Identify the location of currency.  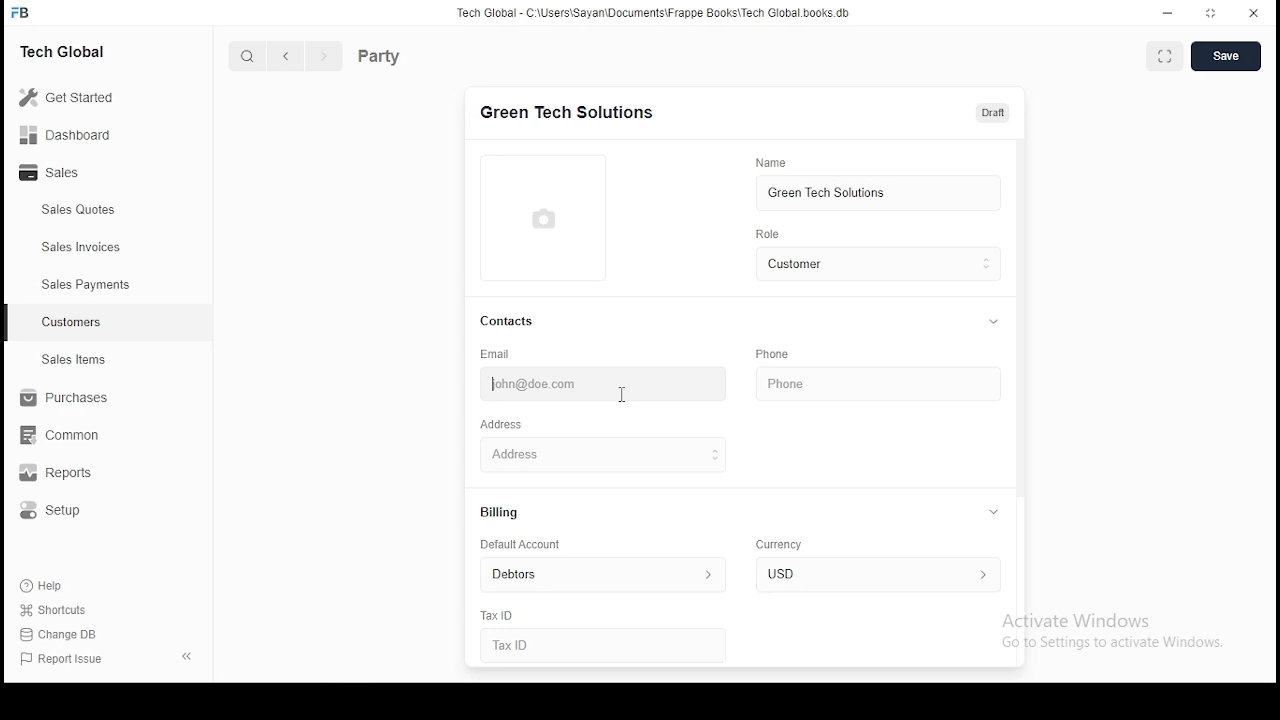
(784, 546).